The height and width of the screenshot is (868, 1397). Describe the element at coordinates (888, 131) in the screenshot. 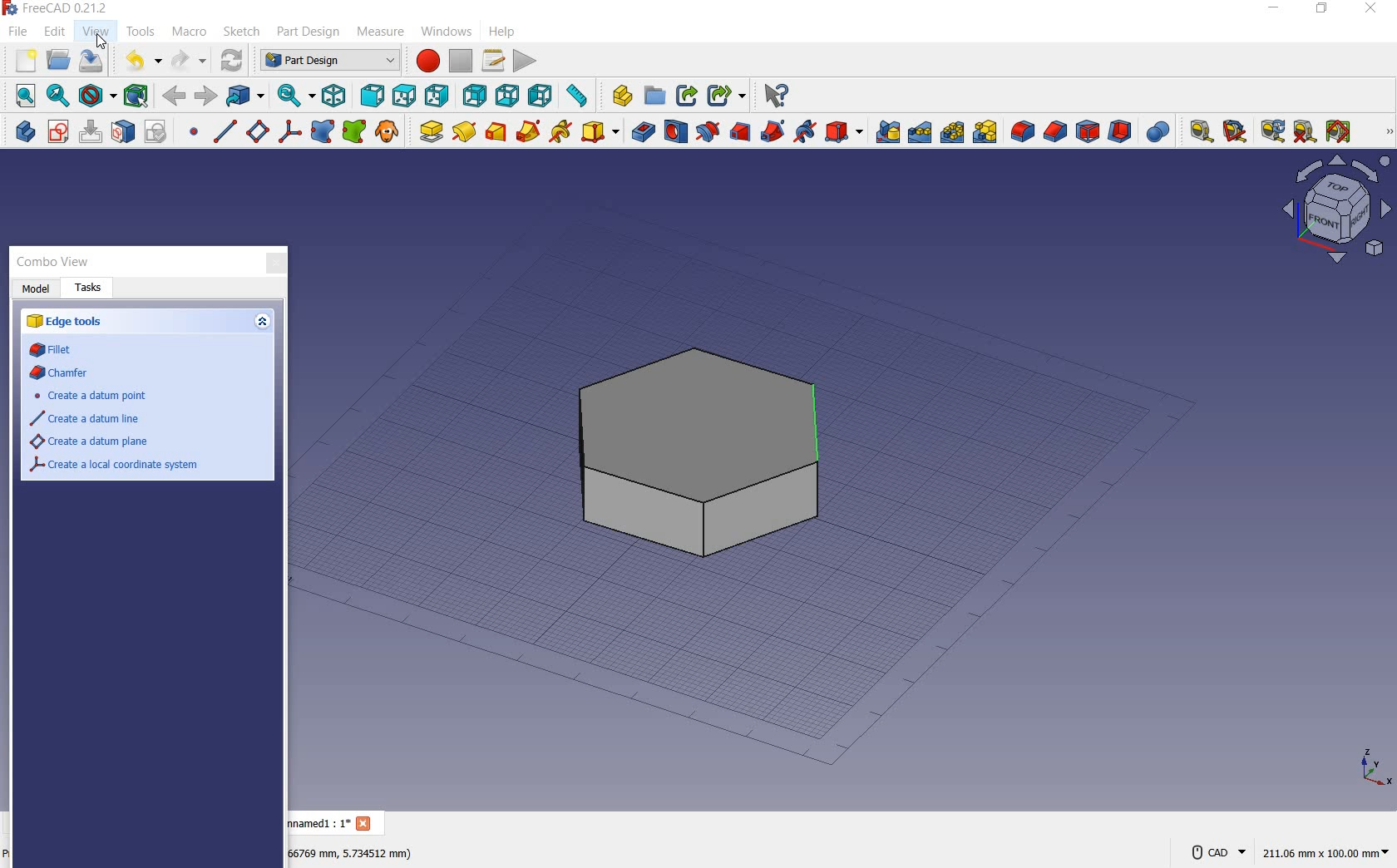

I see `mirrored` at that location.